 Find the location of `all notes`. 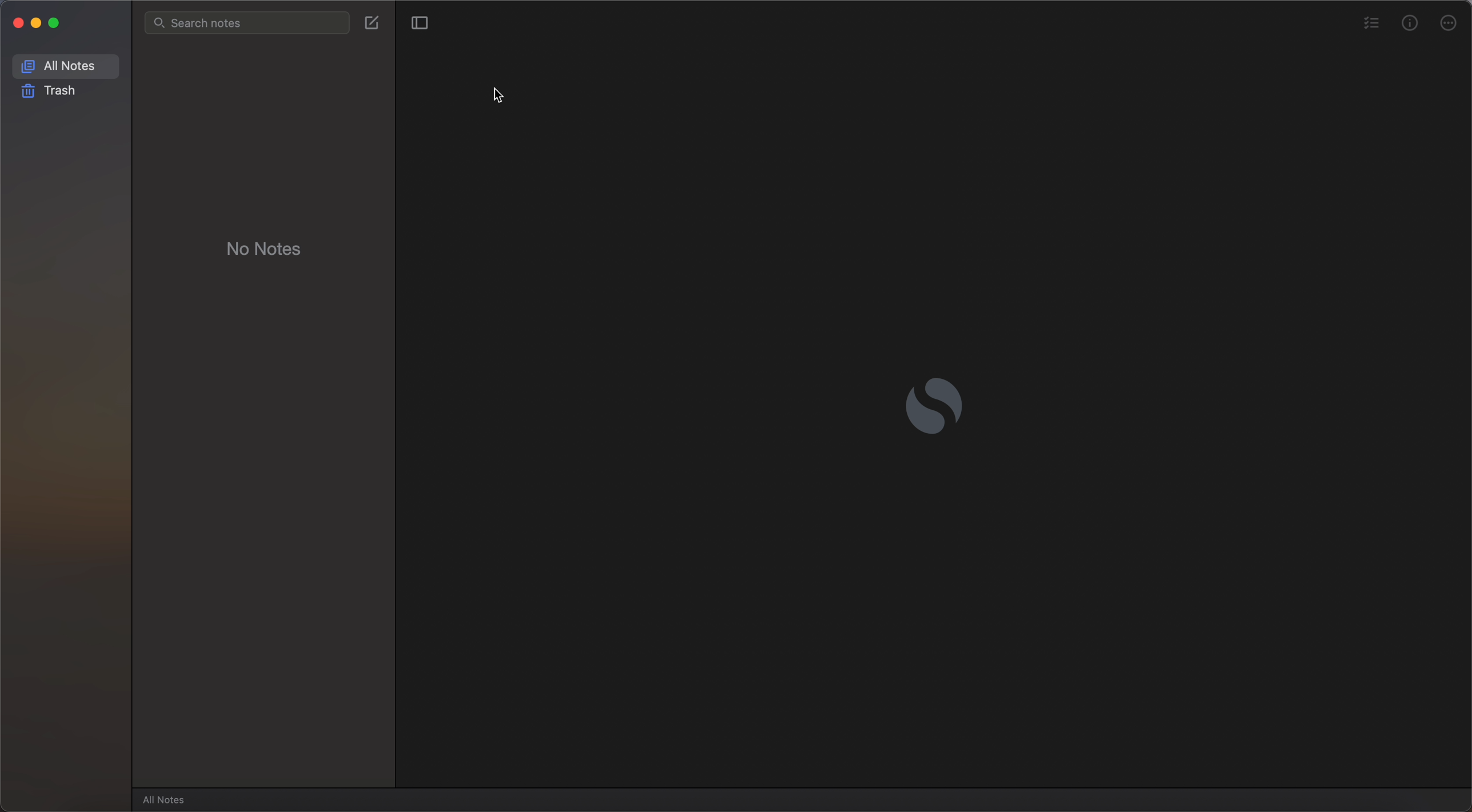

all notes is located at coordinates (66, 65).